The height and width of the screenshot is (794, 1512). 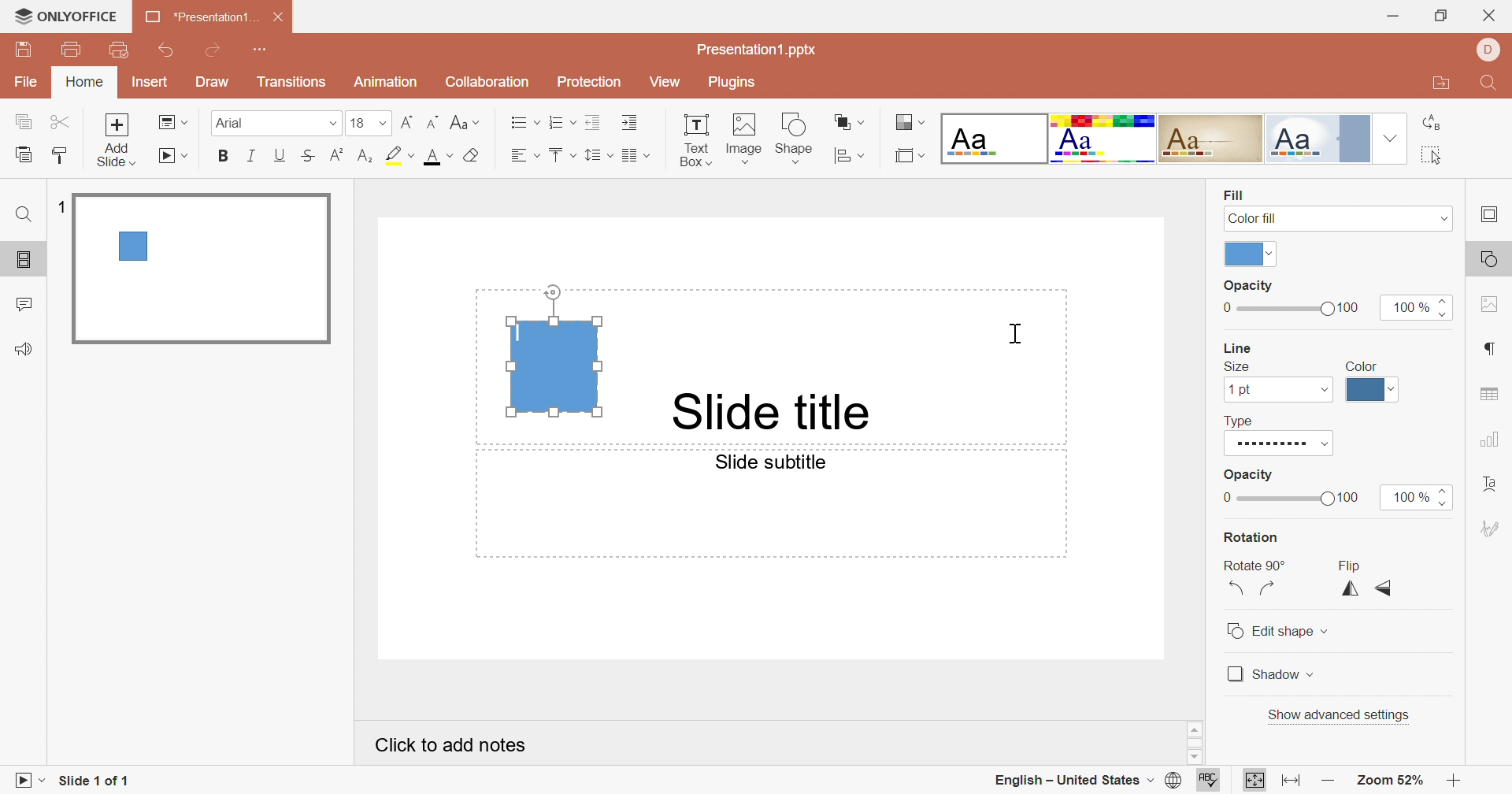 I want to click on Shapes, so click(x=798, y=137).